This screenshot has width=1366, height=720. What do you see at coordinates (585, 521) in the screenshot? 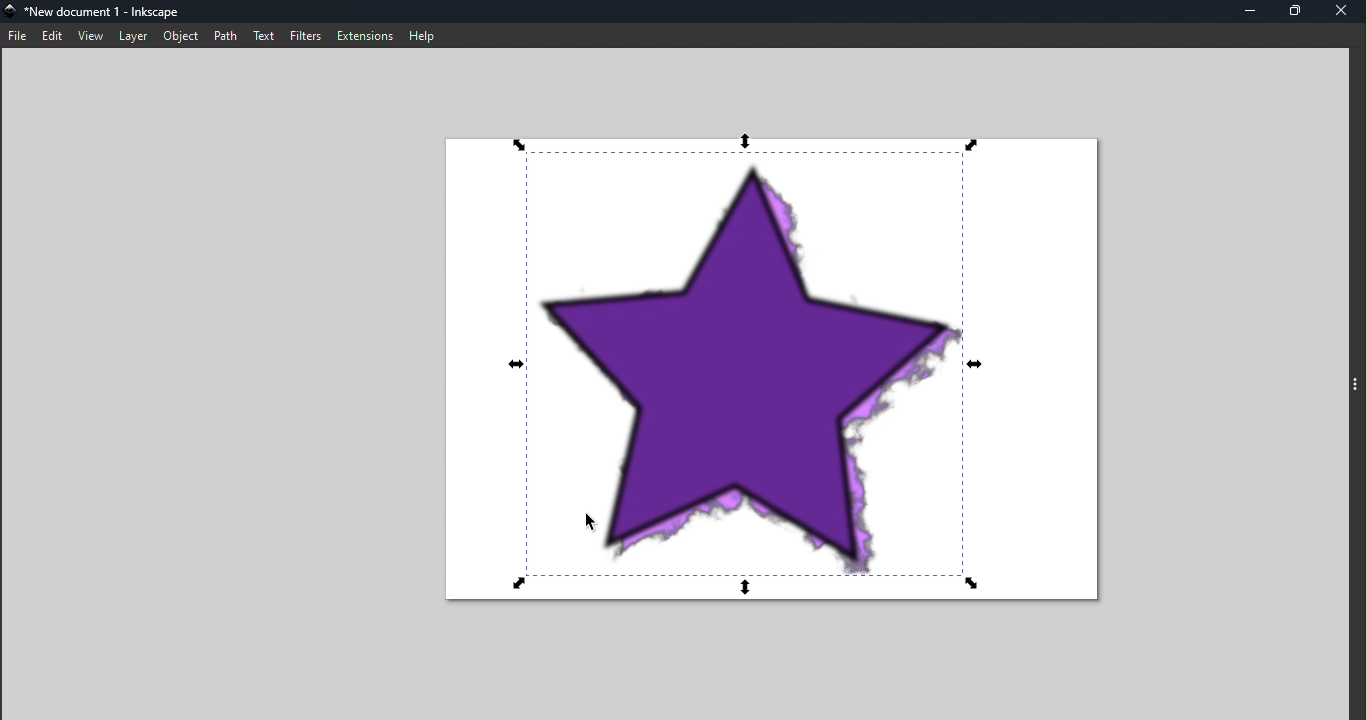
I see `Cursor` at bounding box center [585, 521].